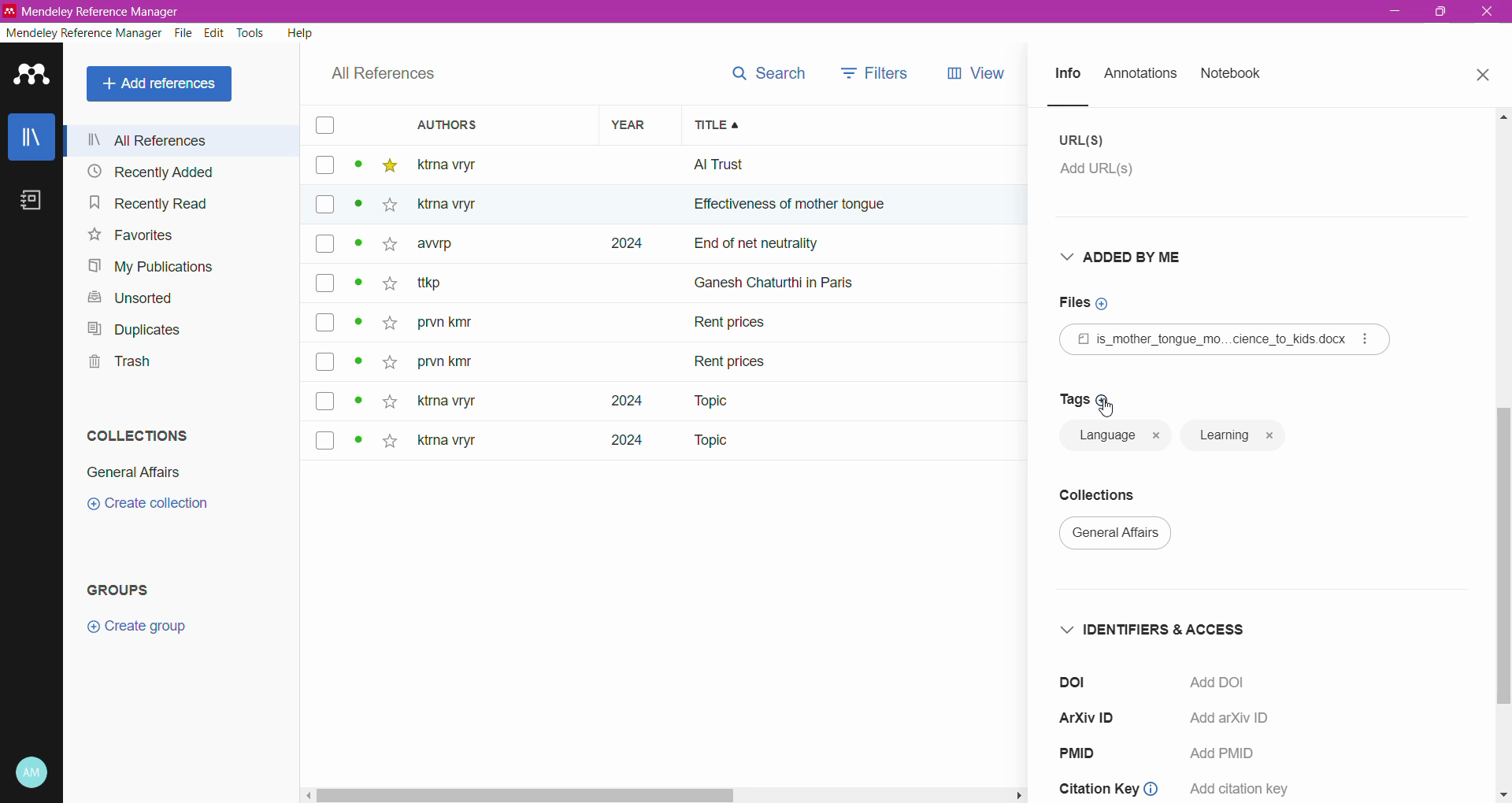 This screenshot has width=1512, height=803. I want to click on Recently Added, so click(176, 171).